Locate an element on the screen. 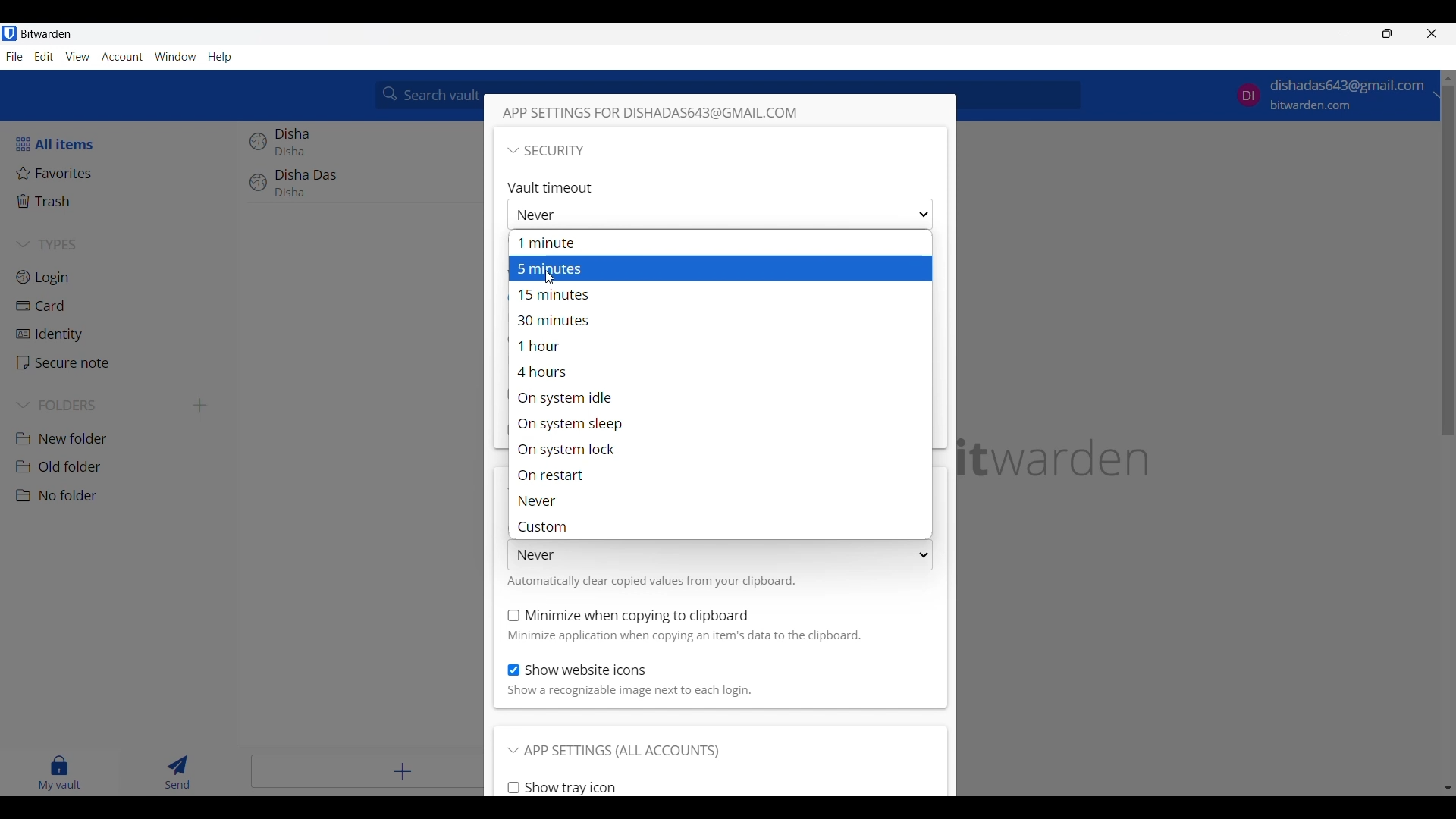  Window menu is located at coordinates (175, 57).